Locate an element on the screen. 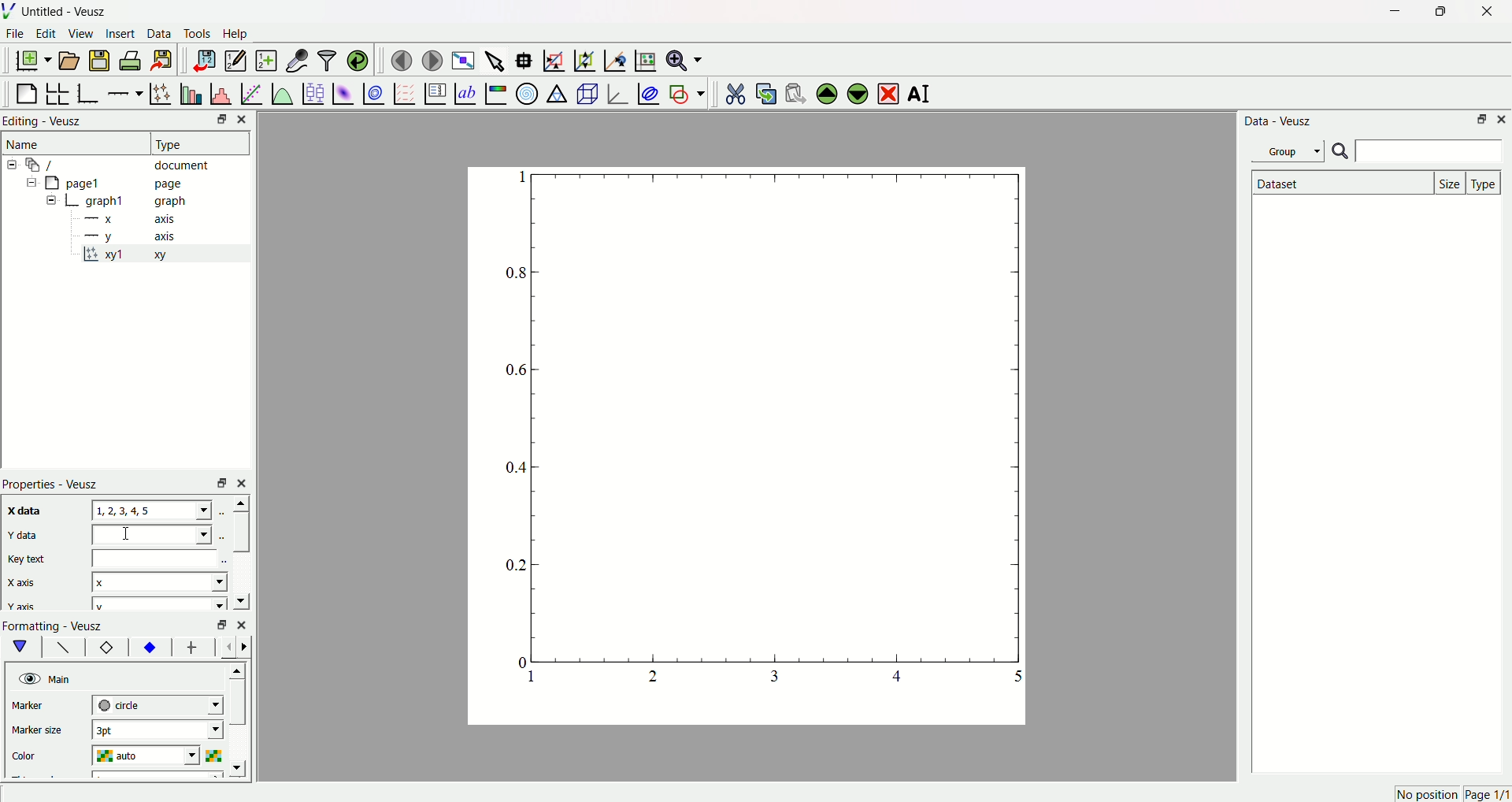 Image resolution: width=1512 pixels, height=802 pixels. move down is located at coordinates (241, 768).